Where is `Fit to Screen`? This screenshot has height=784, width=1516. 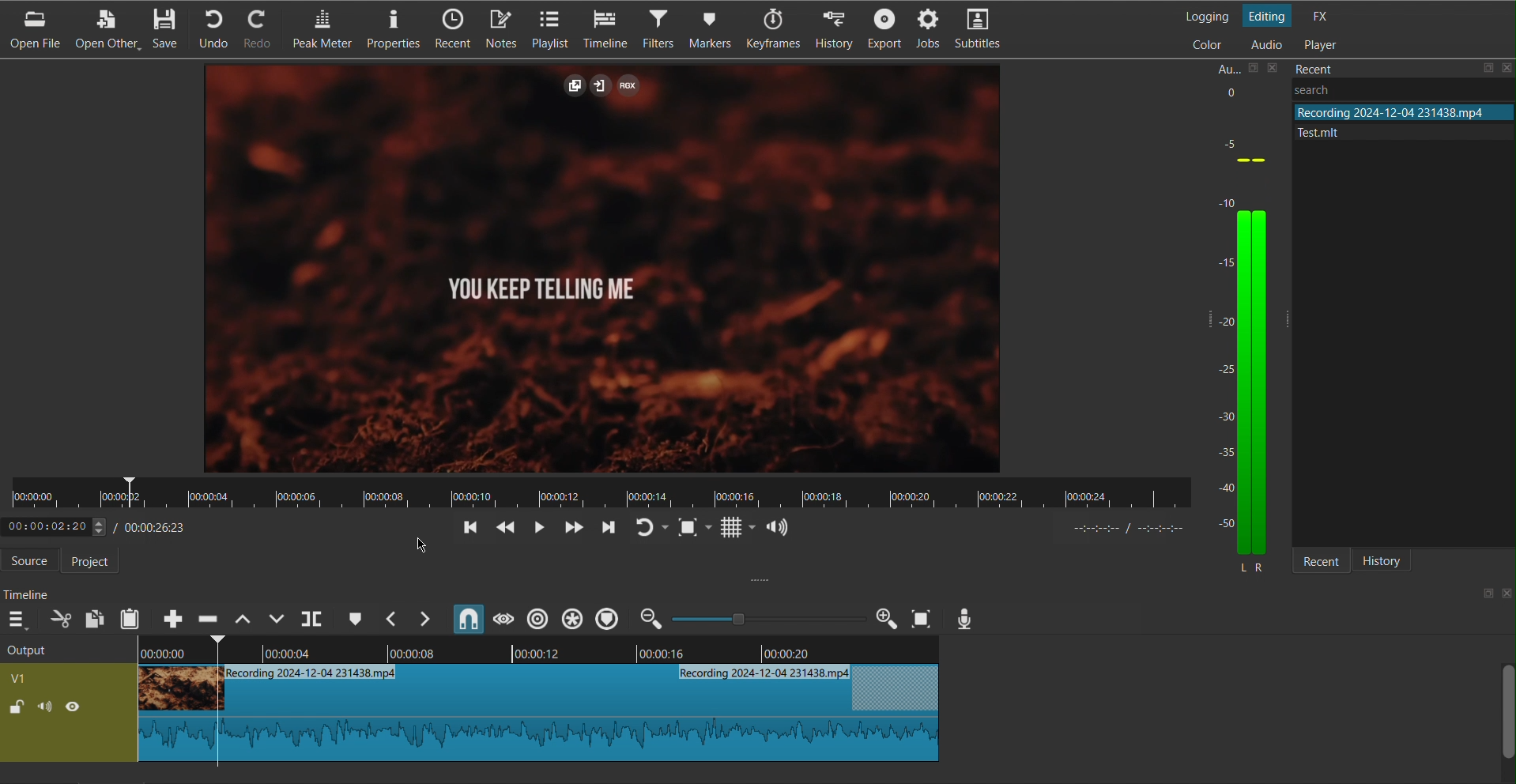 Fit to Screen is located at coordinates (692, 528).